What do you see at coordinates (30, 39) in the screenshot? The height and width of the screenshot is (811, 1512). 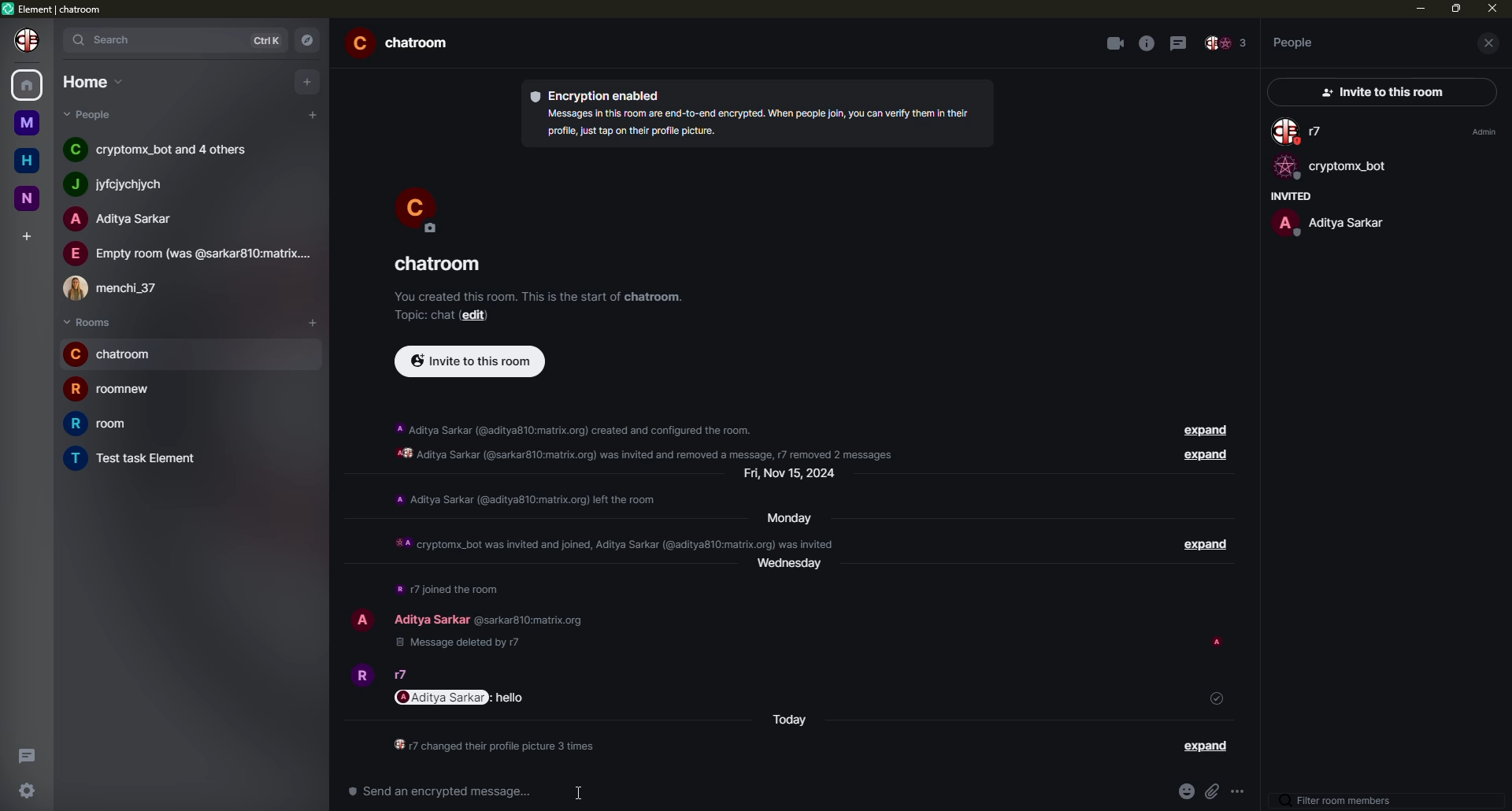 I see `profile` at bounding box center [30, 39].